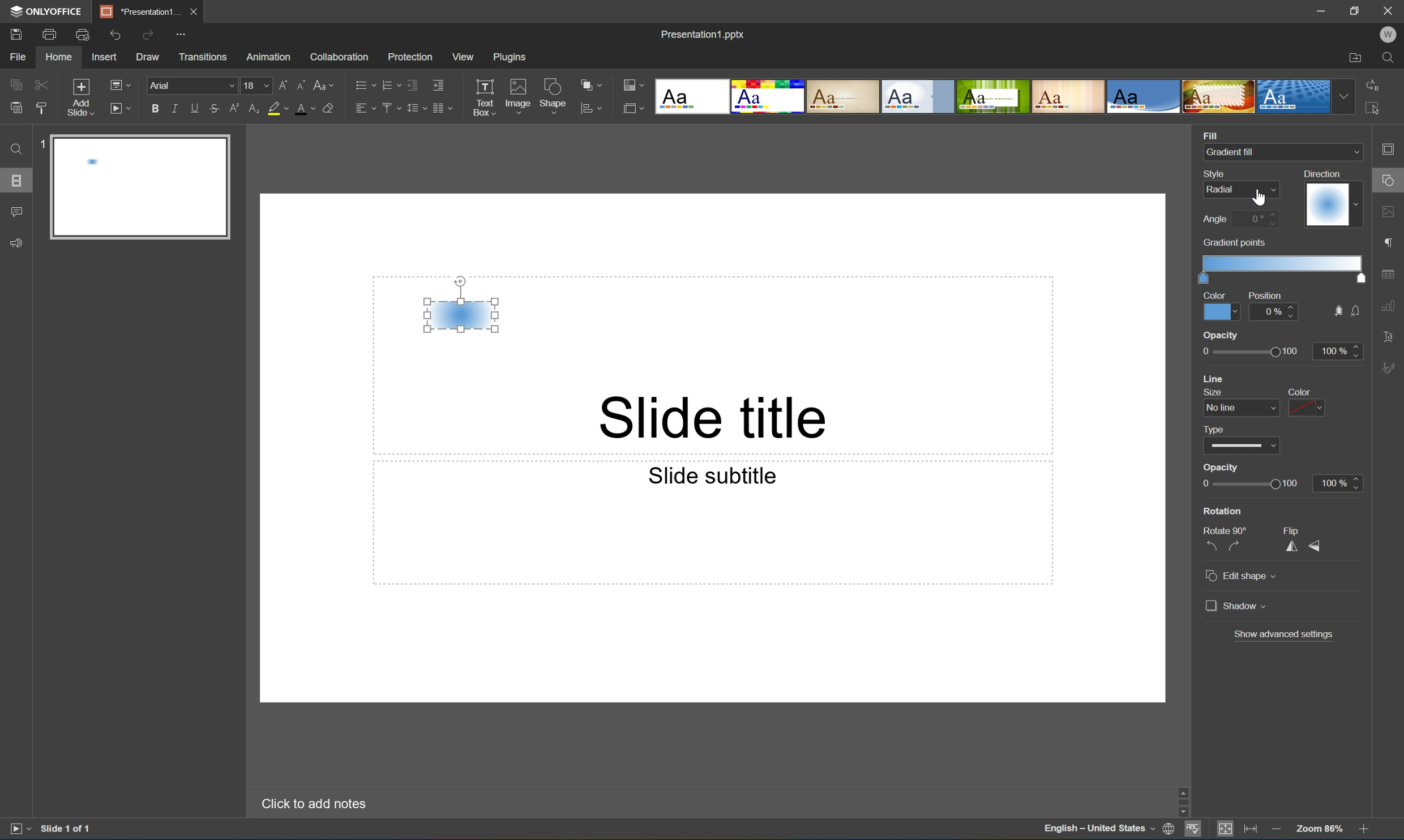 The height and width of the screenshot is (840, 1404). Describe the element at coordinates (214, 109) in the screenshot. I see `Strikethrough` at that location.